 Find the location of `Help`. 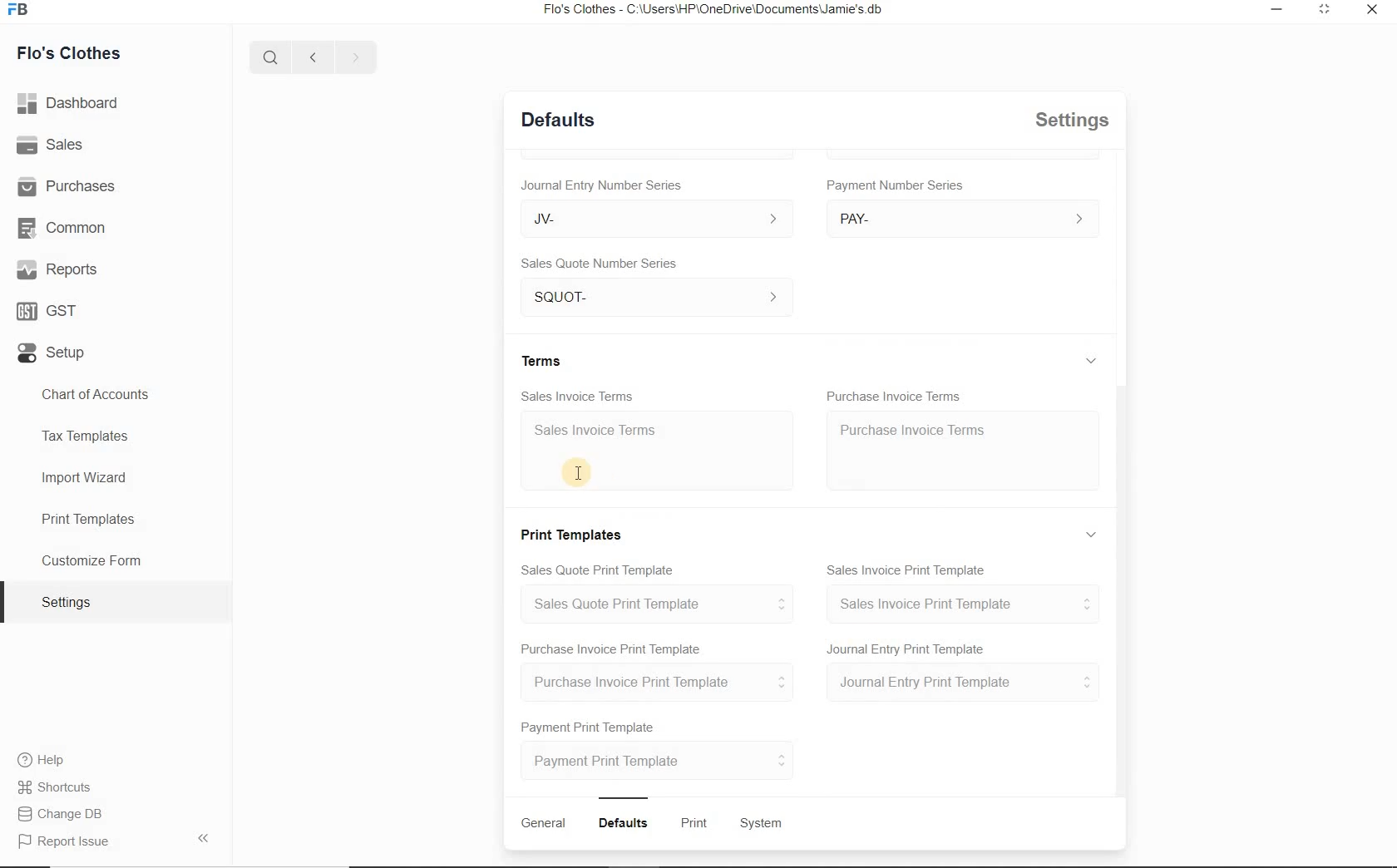

Help is located at coordinates (41, 759).